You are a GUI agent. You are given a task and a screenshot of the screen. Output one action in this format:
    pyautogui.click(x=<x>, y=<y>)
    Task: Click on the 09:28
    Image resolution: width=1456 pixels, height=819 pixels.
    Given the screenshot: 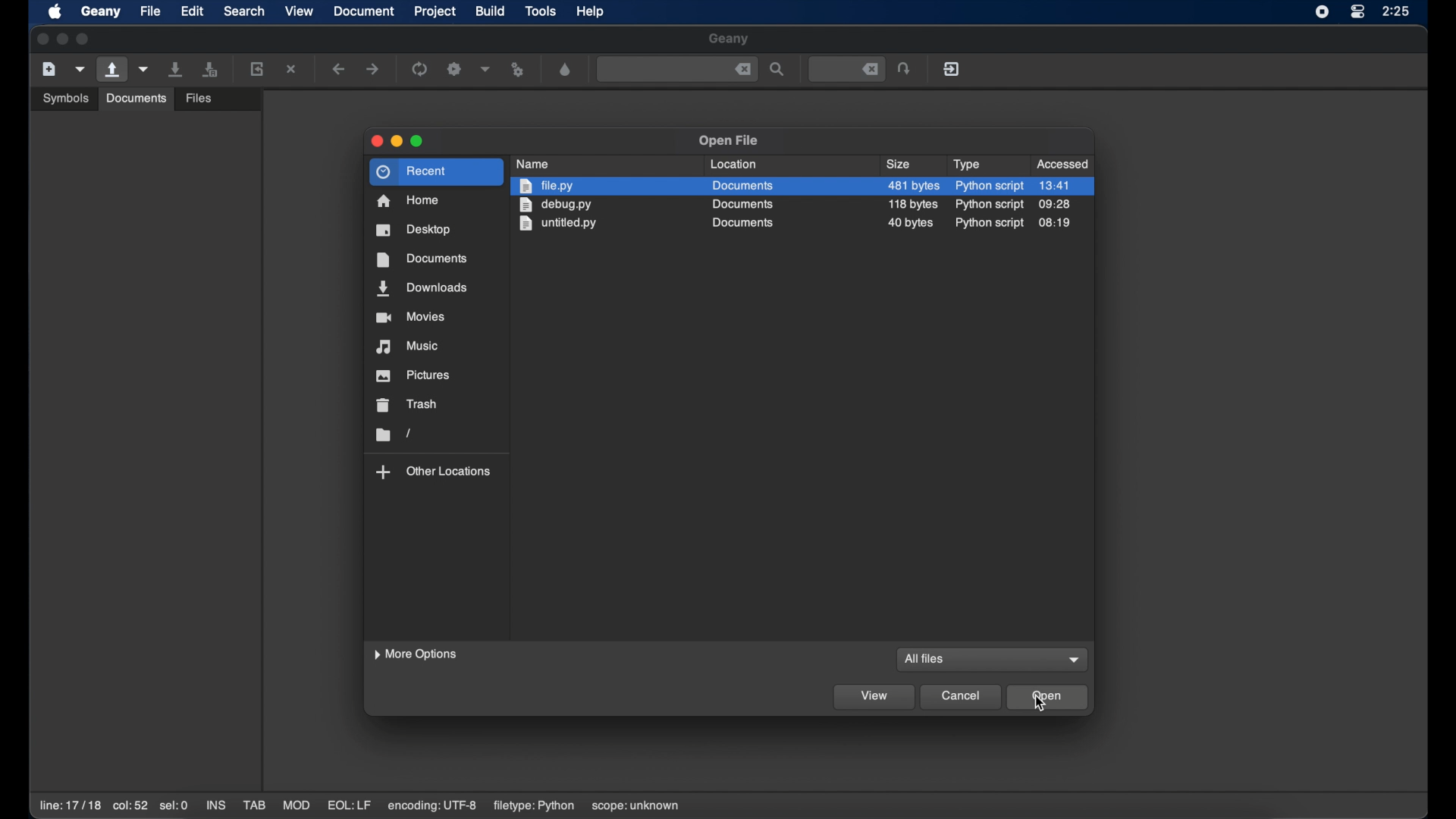 What is the action you would take?
    pyautogui.click(x=1055, y=204)
    